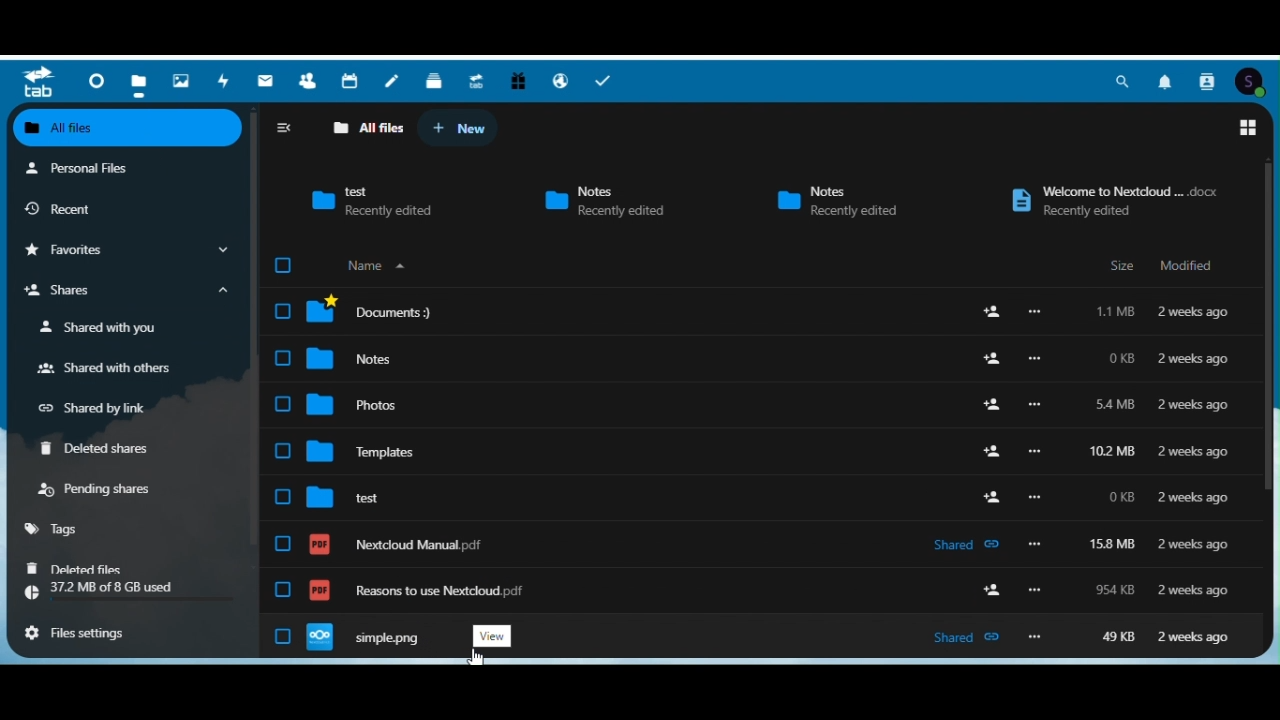 This screenshot has height=720, width=1280. I want to click on options, so click(1035, 312).